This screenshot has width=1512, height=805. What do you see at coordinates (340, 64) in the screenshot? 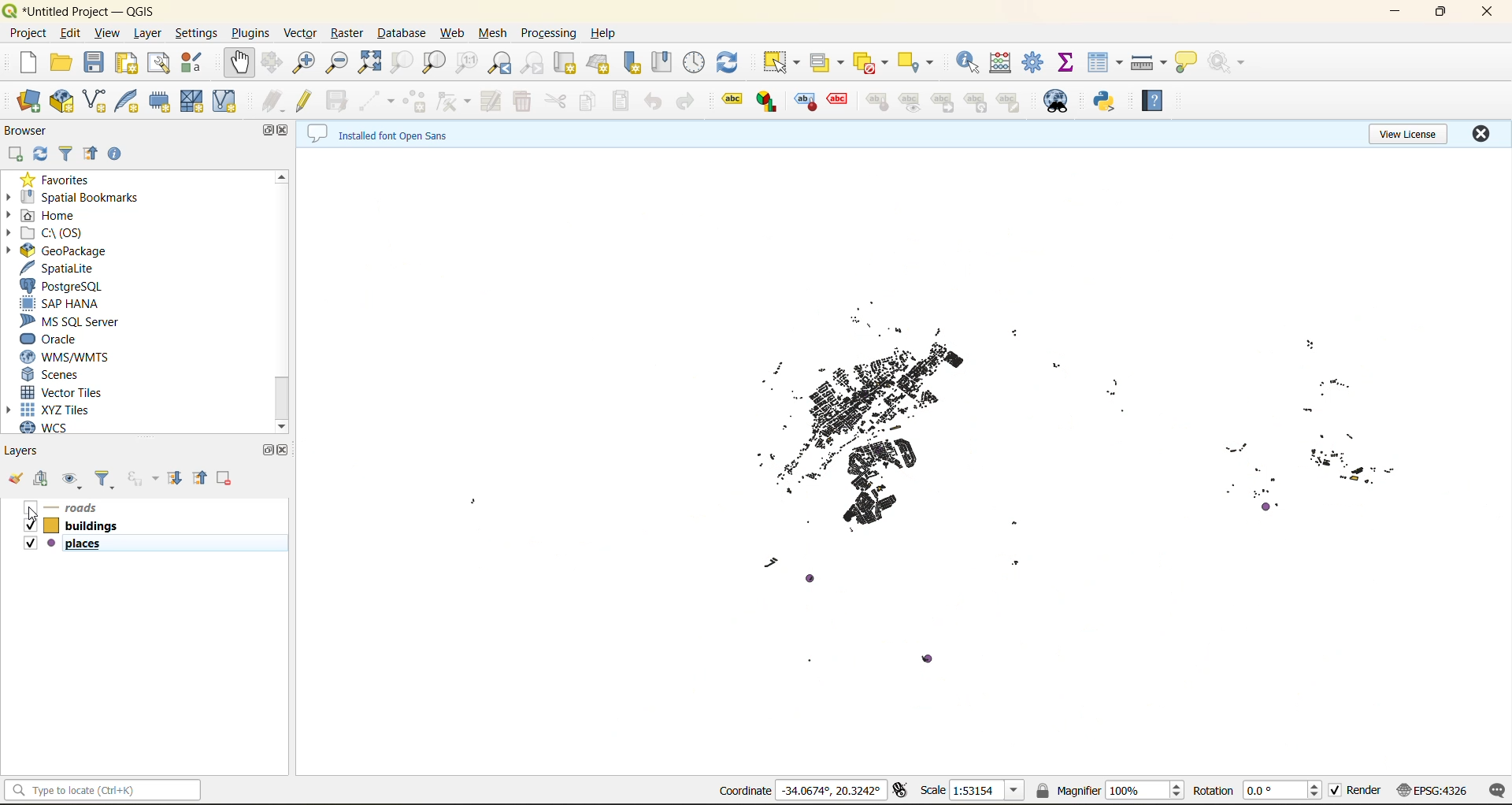
I see `zoom out` at bounding box center [340, 64].